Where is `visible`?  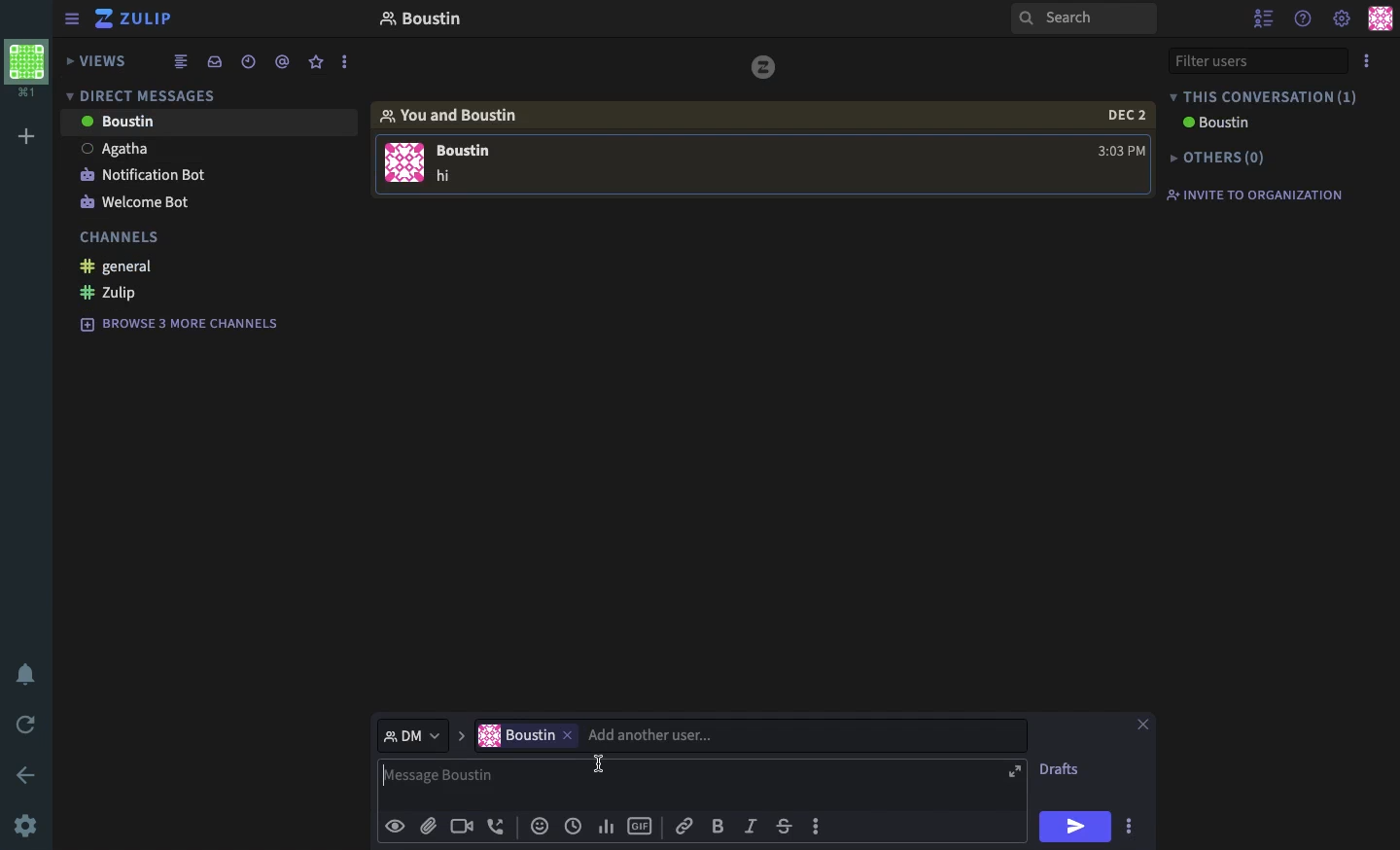
visible is located at coordinates (398, 825).